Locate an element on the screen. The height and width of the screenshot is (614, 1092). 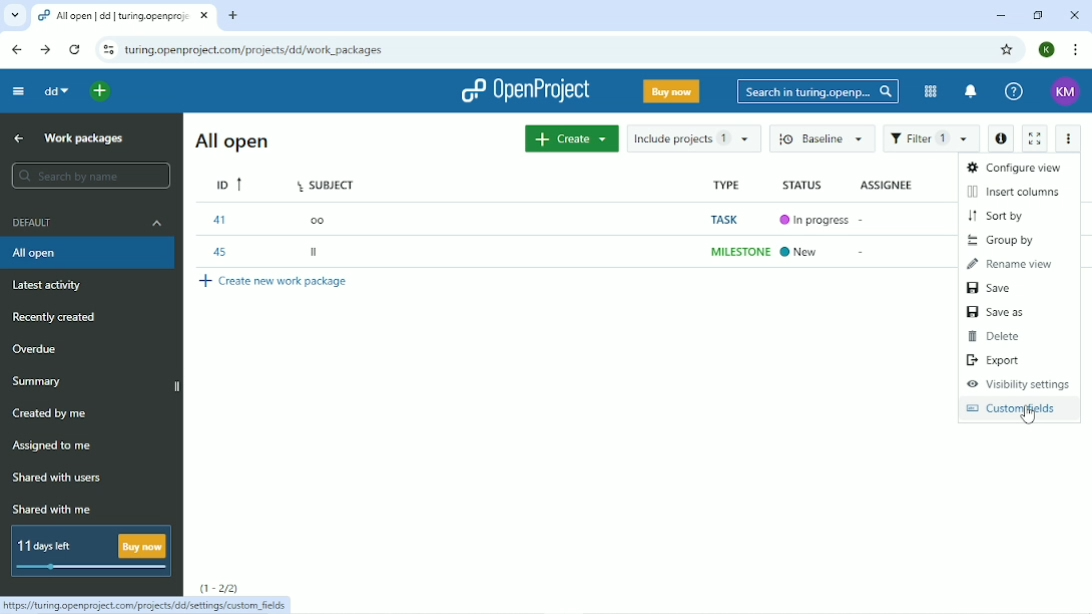
All open | dd | turing.openproject.com is located at coordinates (125, 17).